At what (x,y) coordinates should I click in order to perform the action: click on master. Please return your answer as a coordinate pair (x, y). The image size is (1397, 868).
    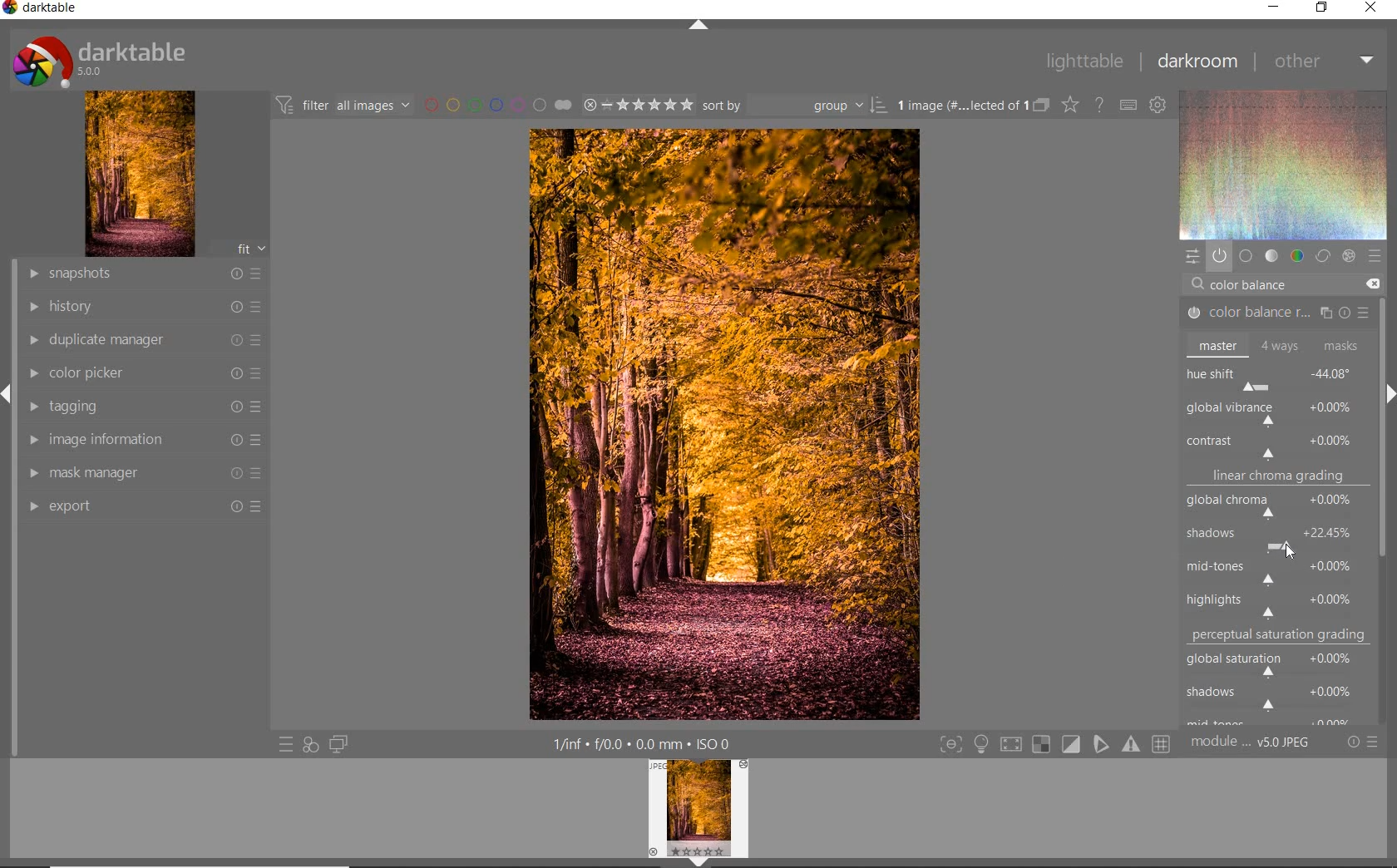
    Looking at the image, I should click on (1274, 345).